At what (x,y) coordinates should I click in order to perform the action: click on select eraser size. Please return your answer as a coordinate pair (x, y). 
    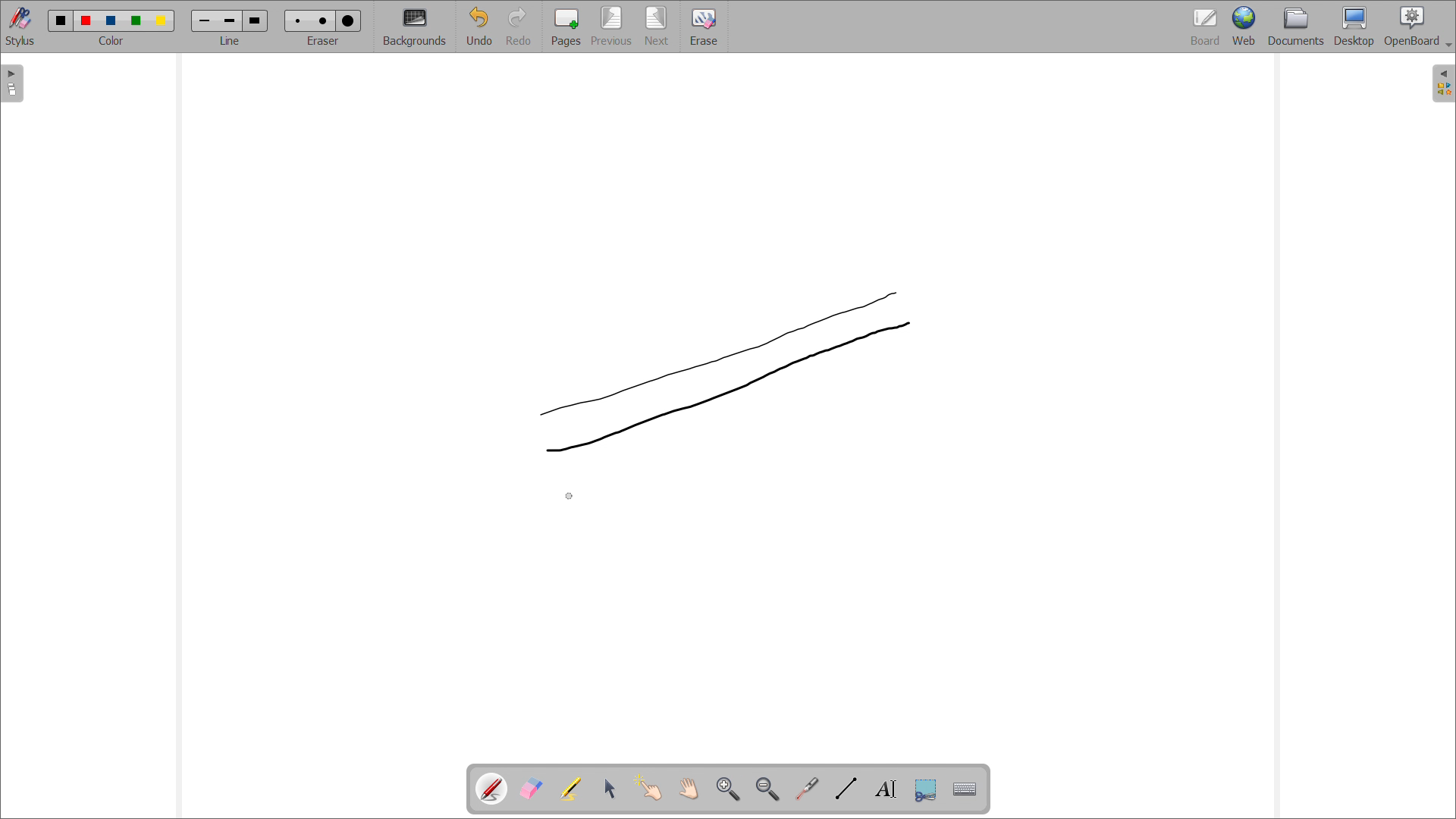
    Looking at the image, I should click on (324, 41).